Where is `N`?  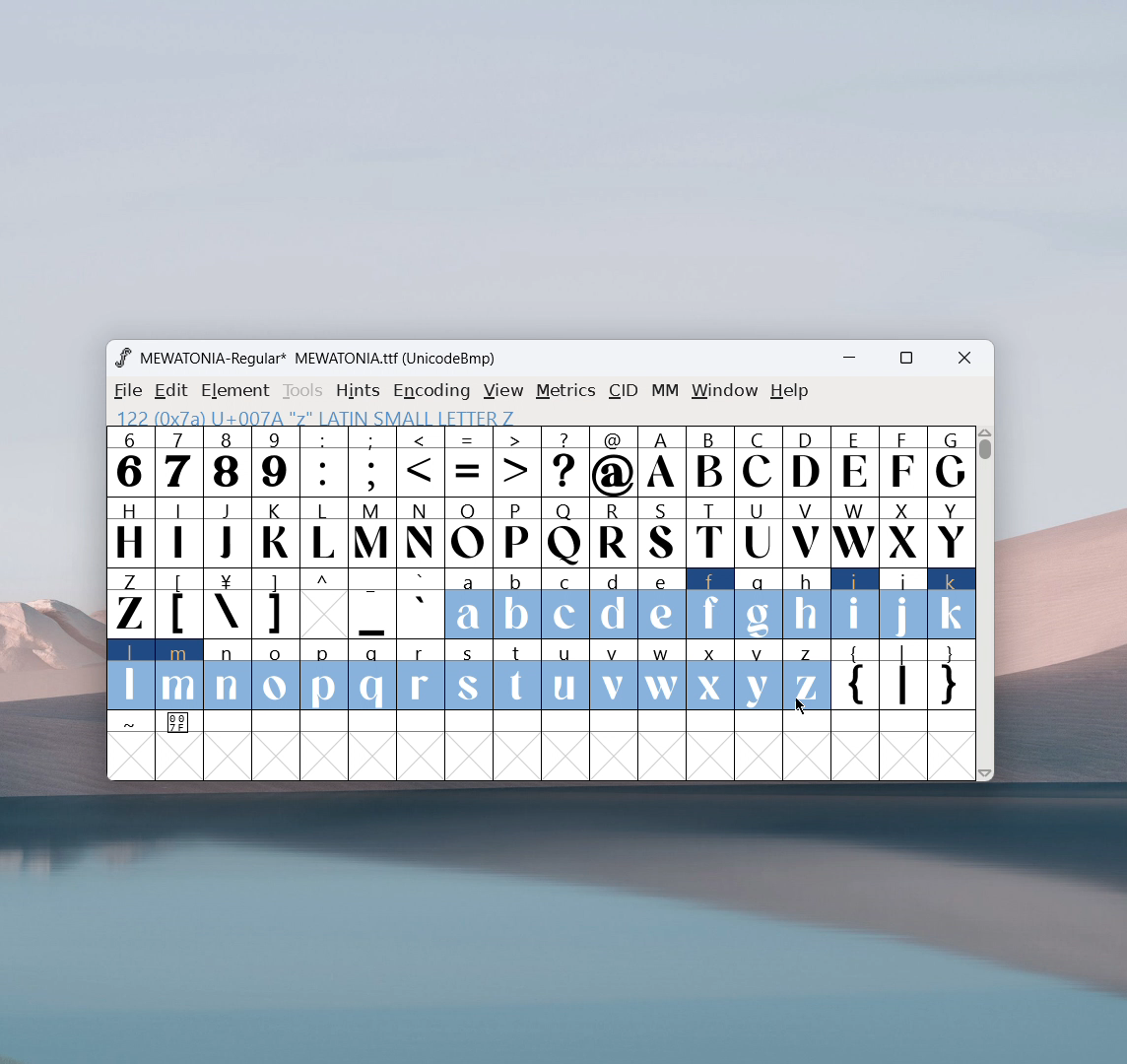
N is located at coordinates (421, 532).